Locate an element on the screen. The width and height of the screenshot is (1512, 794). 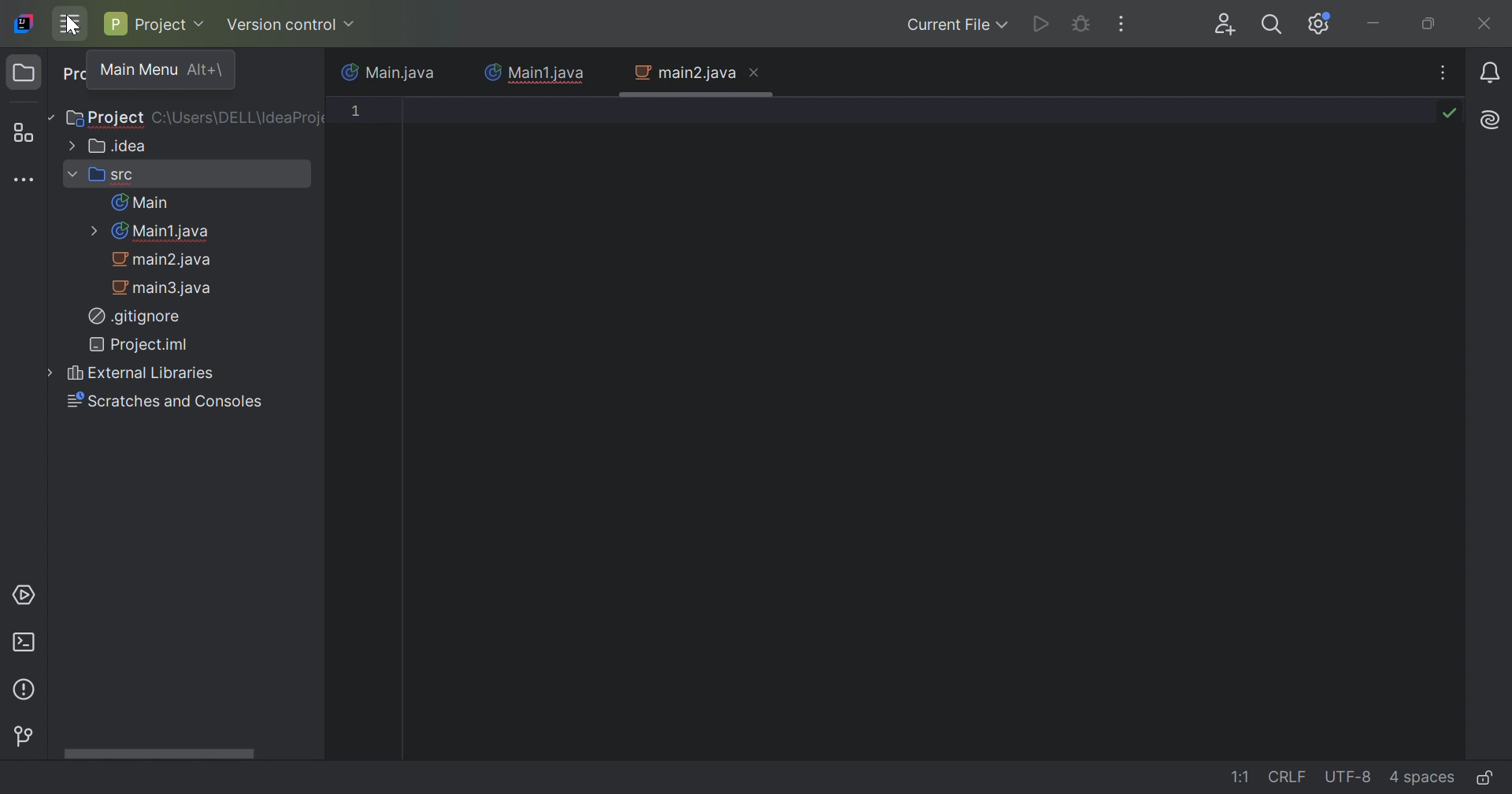
Project is located at coordinates (154, 24).